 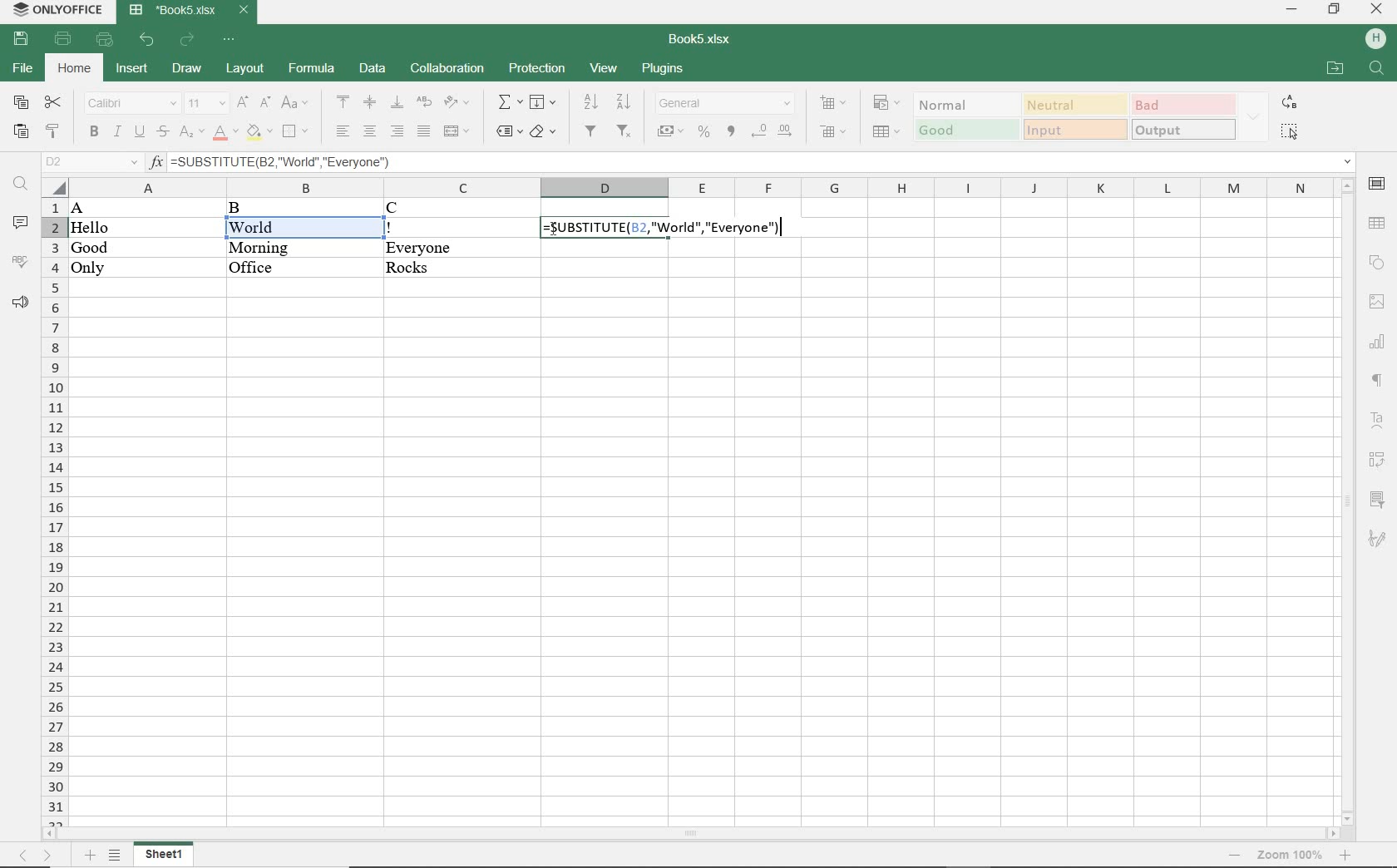 What do you see at coordinates (833, 104) in the screenshot?
I see `insert cells` at bounding box center [833, 104].